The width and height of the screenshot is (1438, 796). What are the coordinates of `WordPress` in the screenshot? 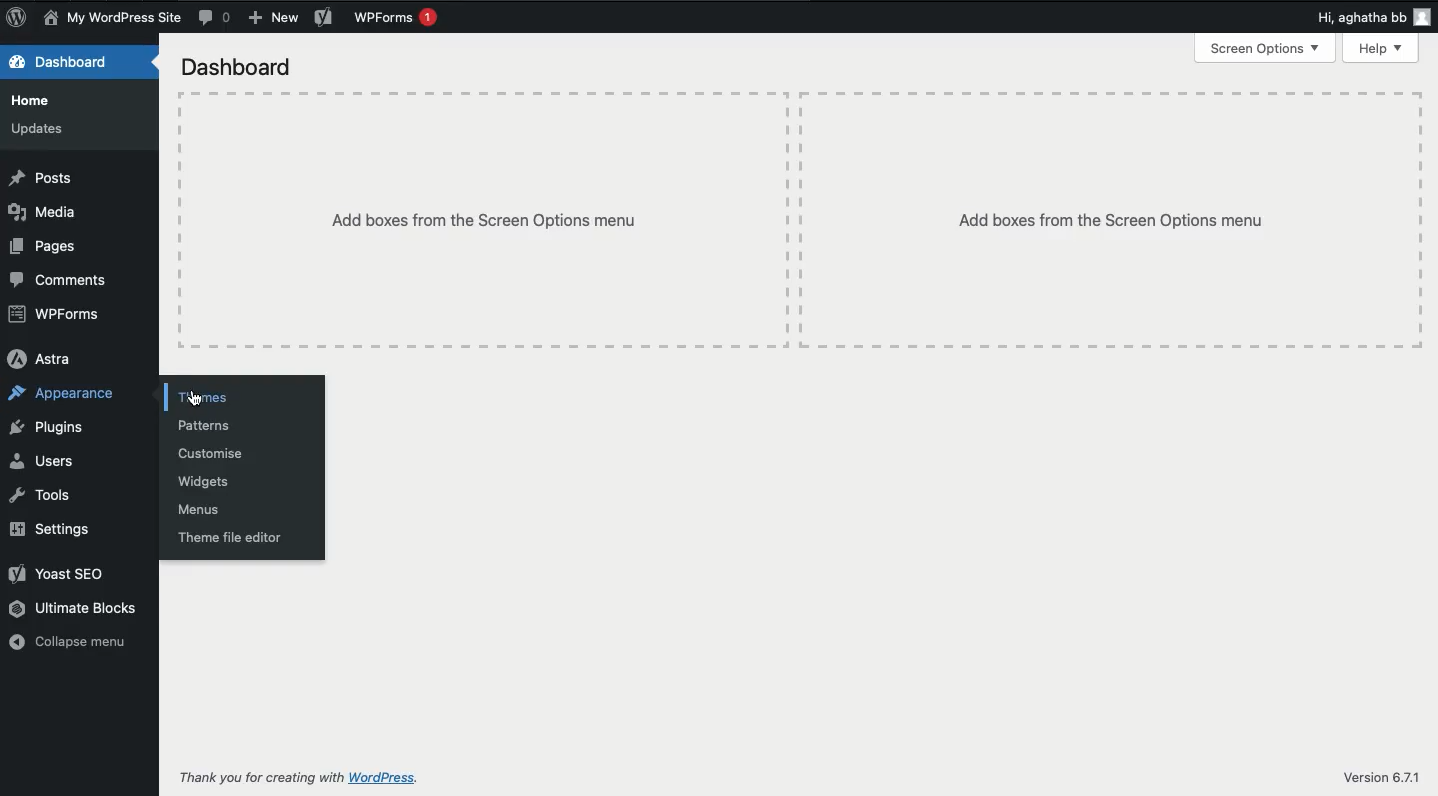 It's located at (17, 18).